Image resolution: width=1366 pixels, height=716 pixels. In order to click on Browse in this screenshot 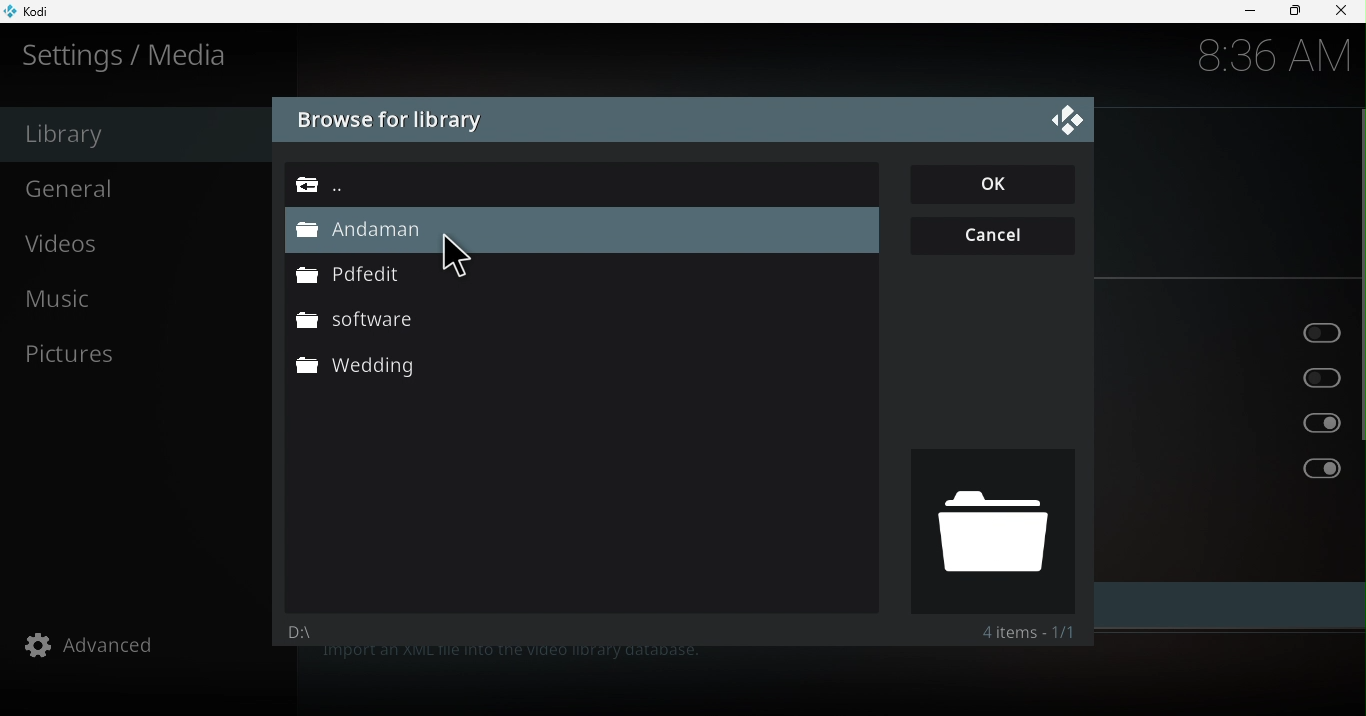, I will do `click(491, 181)`.